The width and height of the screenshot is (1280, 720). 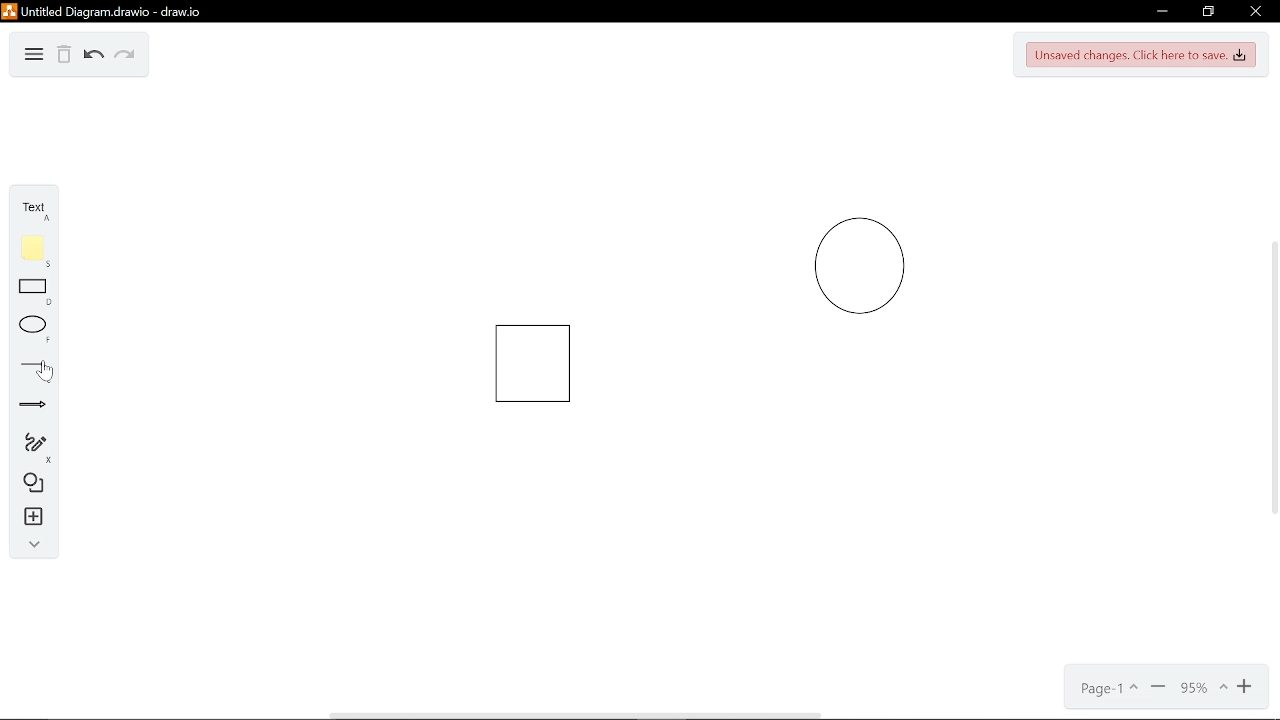 What do you see at coordinates (1106, 689) in the screenshot?
I see `Page options` at bounding box center [1106, 689].